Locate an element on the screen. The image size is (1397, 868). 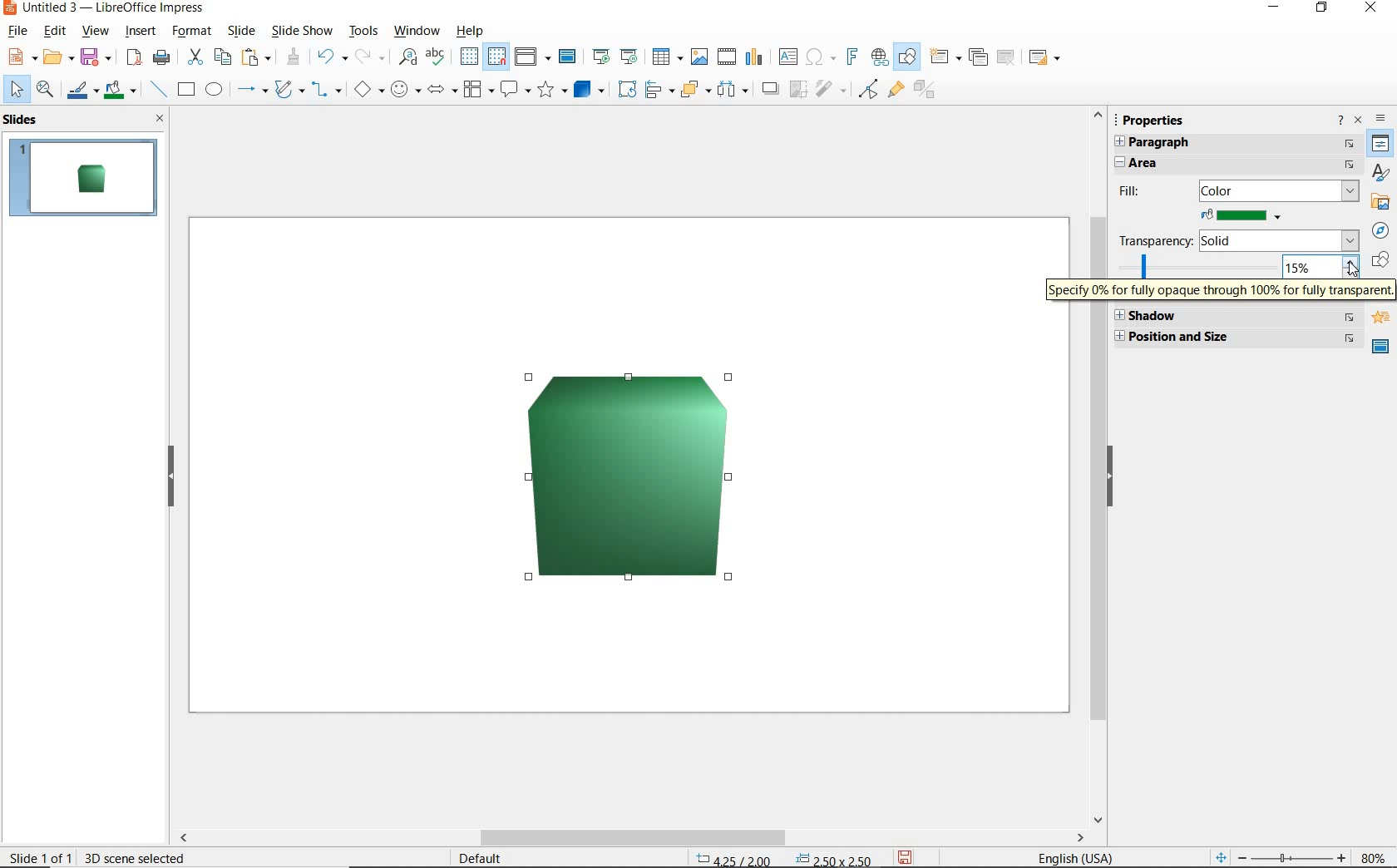
slide layout is located at coordinates (1045, 57).